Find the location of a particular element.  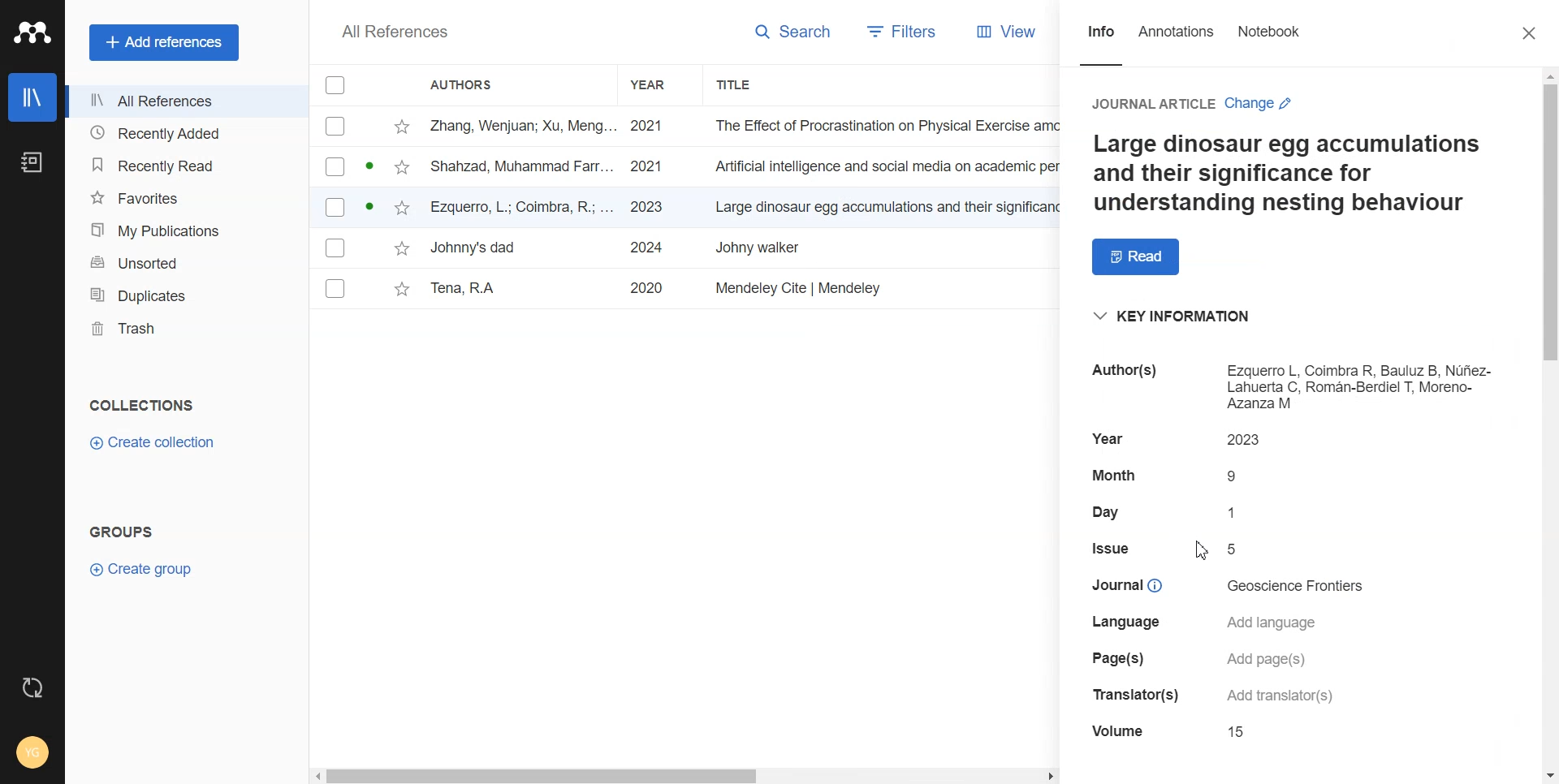

Text is located at coordinates (399, 32).